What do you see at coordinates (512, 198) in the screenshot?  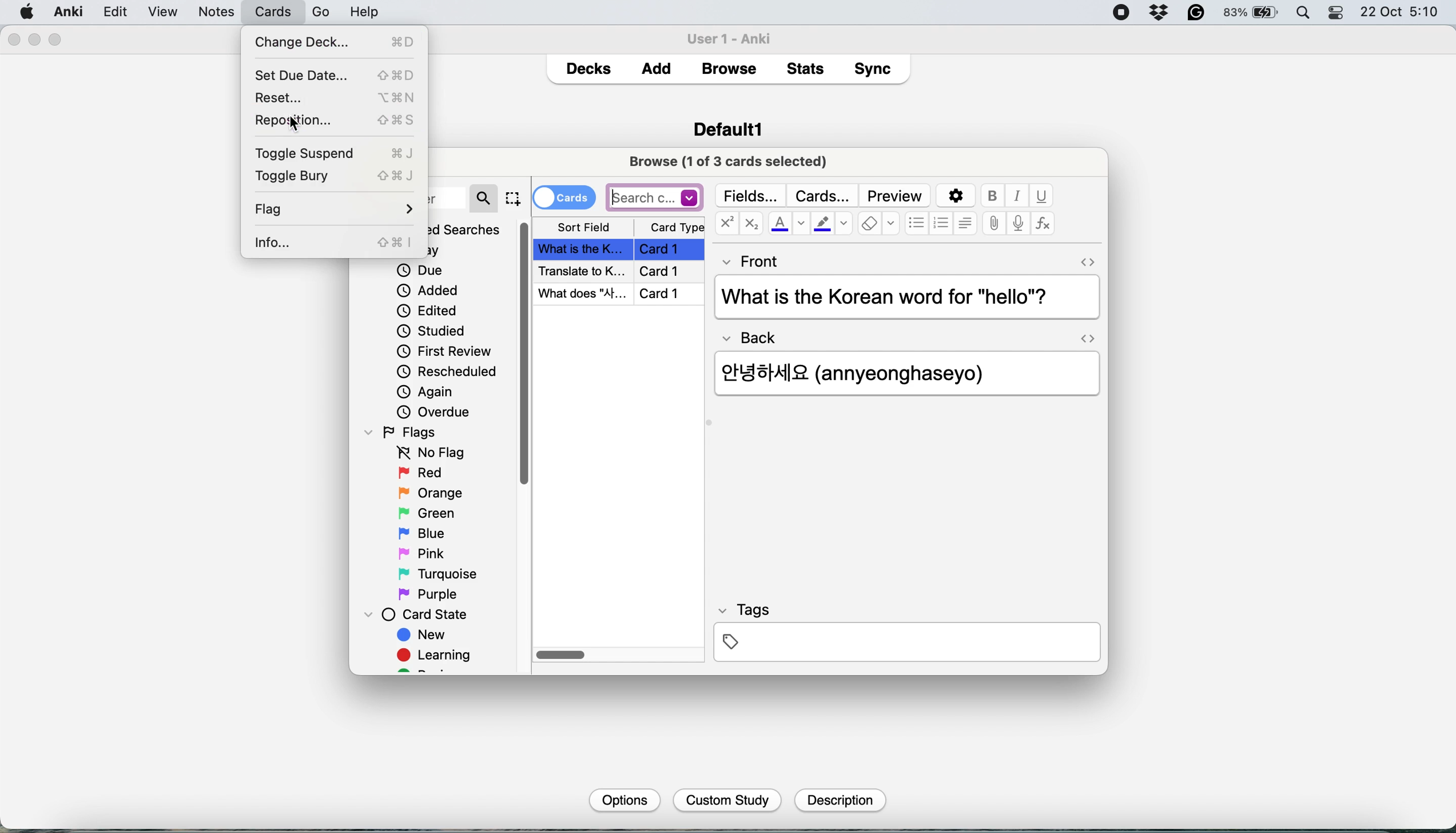 I see `selection tool` at bounding box center [512, 198].